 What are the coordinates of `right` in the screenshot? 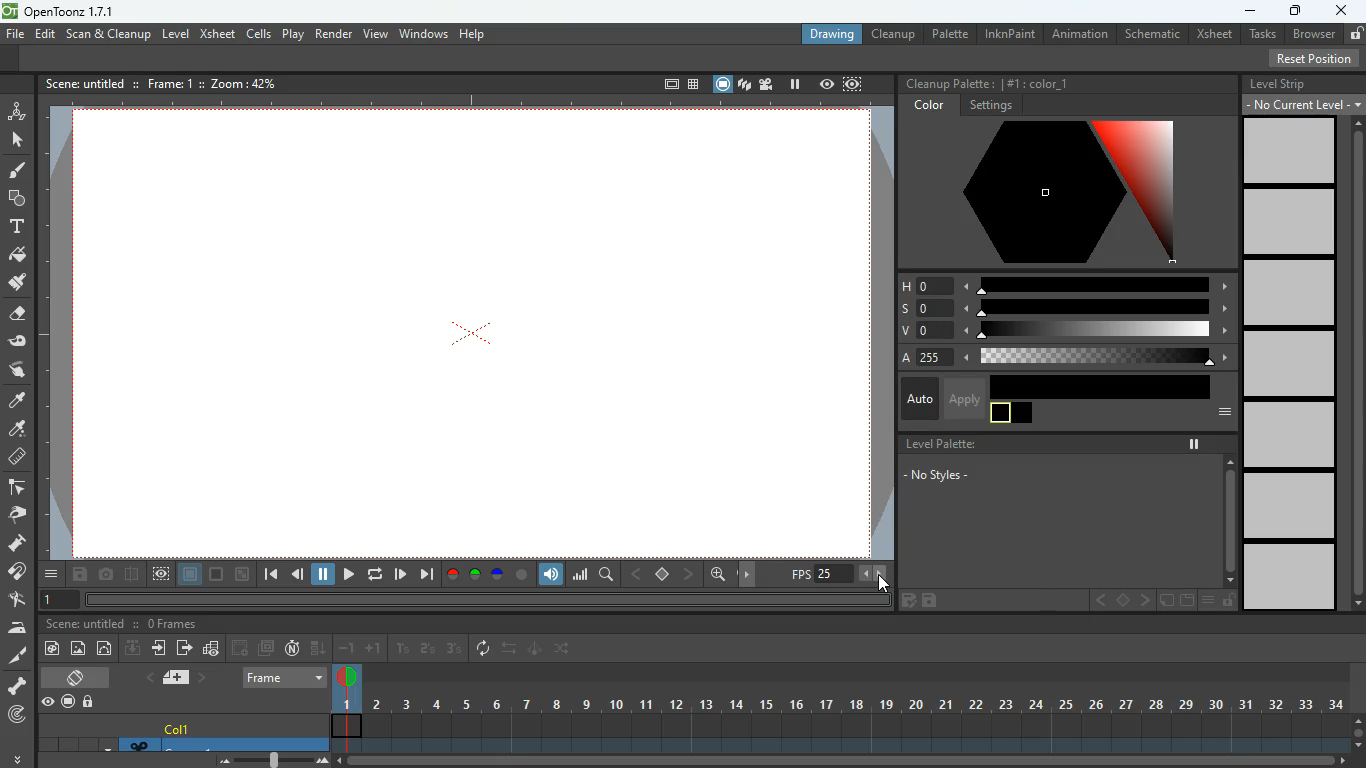 It's located at (1142, 599).